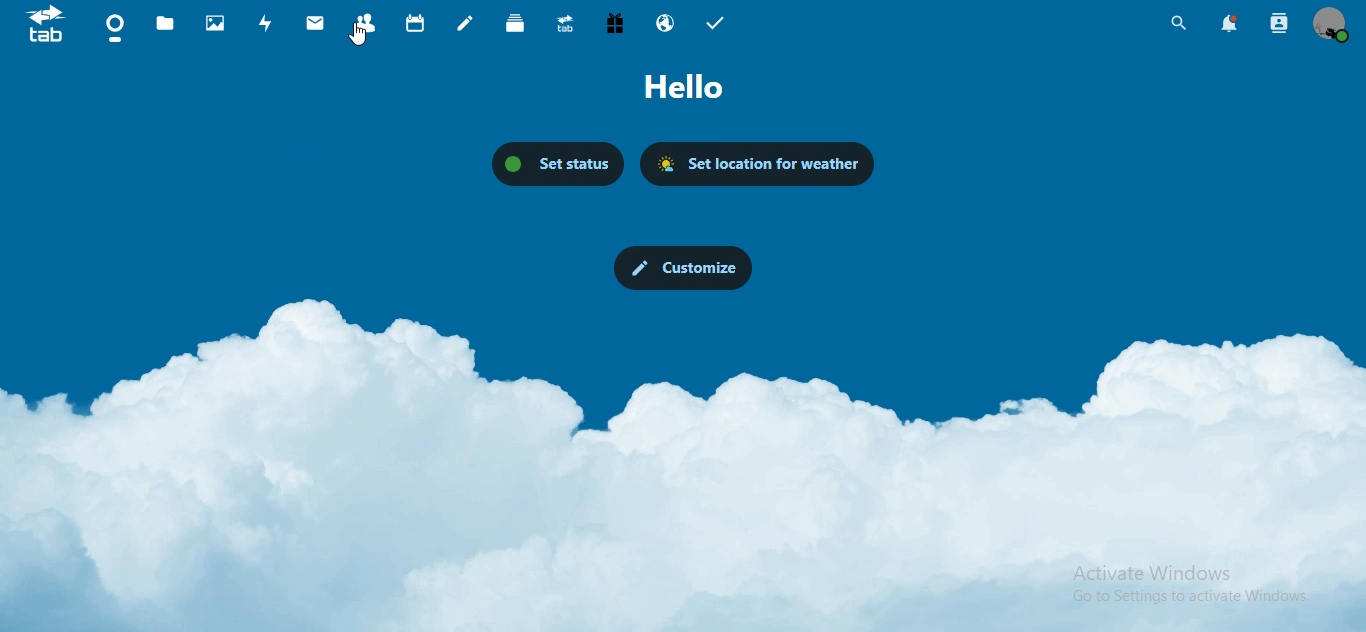 The height and width of the screenshot is (632, 1366). Describe the element at coordinates (1335, 25) in the screenshot. I see `view profile` at that location.